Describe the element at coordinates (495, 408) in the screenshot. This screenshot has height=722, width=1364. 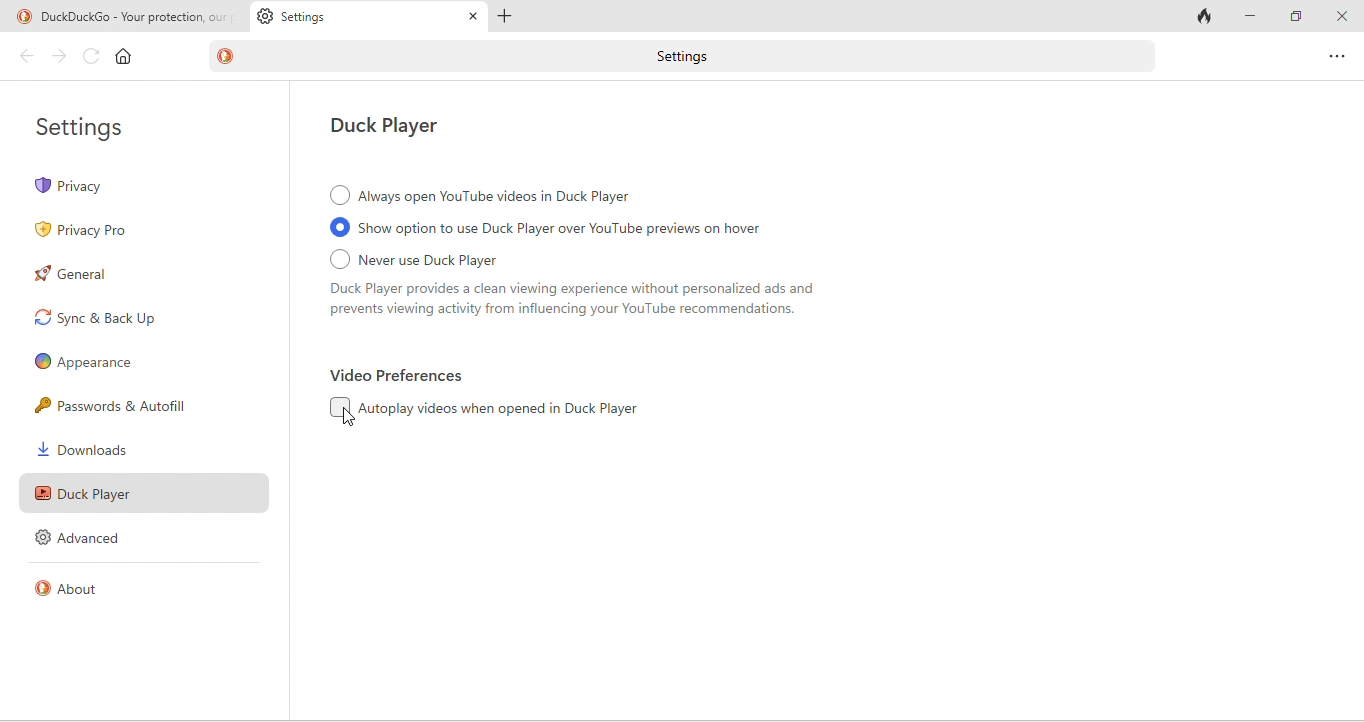
I see `disabled auto play` at that location.